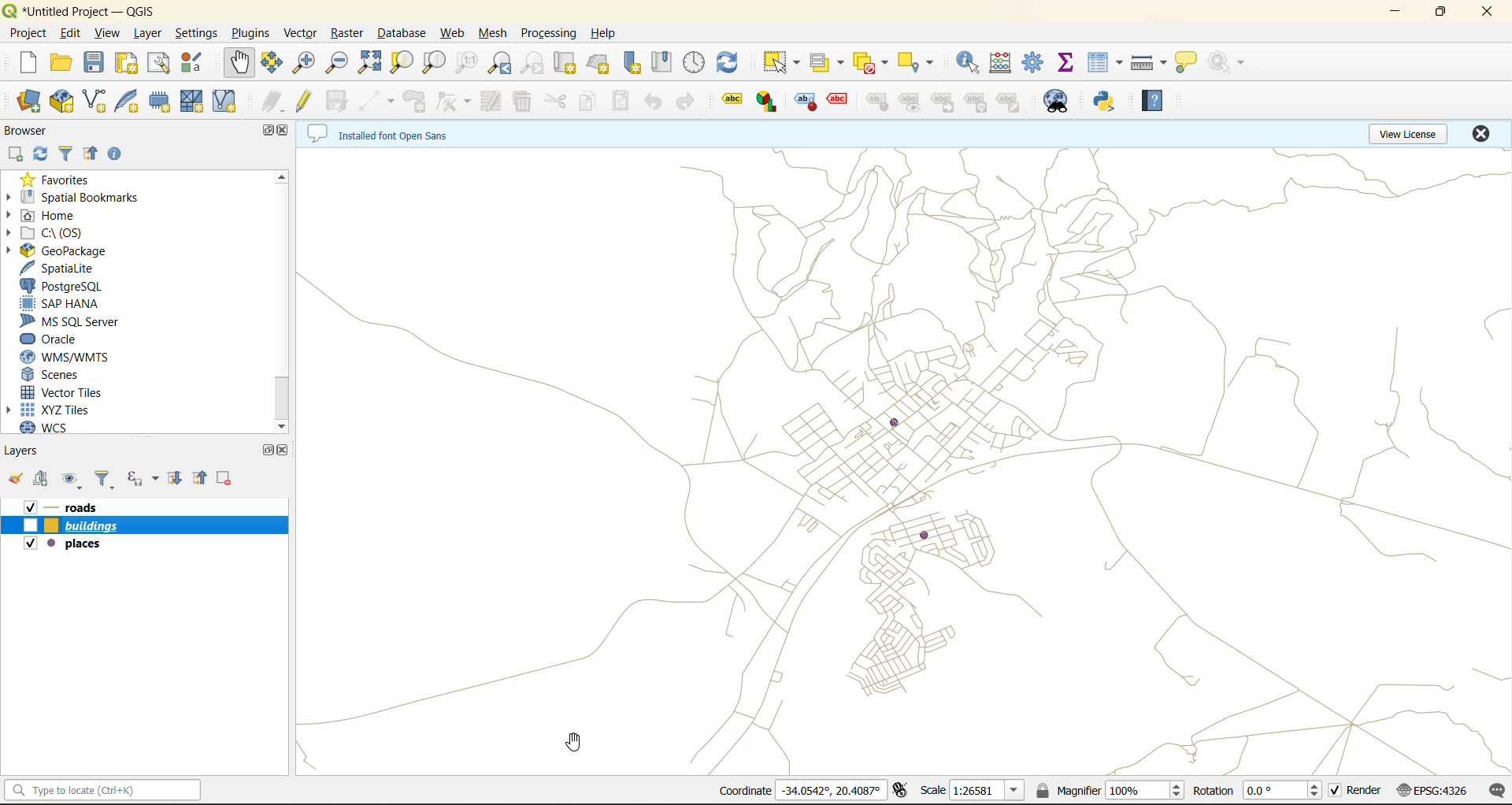 Image resolution: width=1512 pixels, height=805 pixels. Describe the element at coordinates (402, 64) in the screenshot. I see `zoom selection` at that location.